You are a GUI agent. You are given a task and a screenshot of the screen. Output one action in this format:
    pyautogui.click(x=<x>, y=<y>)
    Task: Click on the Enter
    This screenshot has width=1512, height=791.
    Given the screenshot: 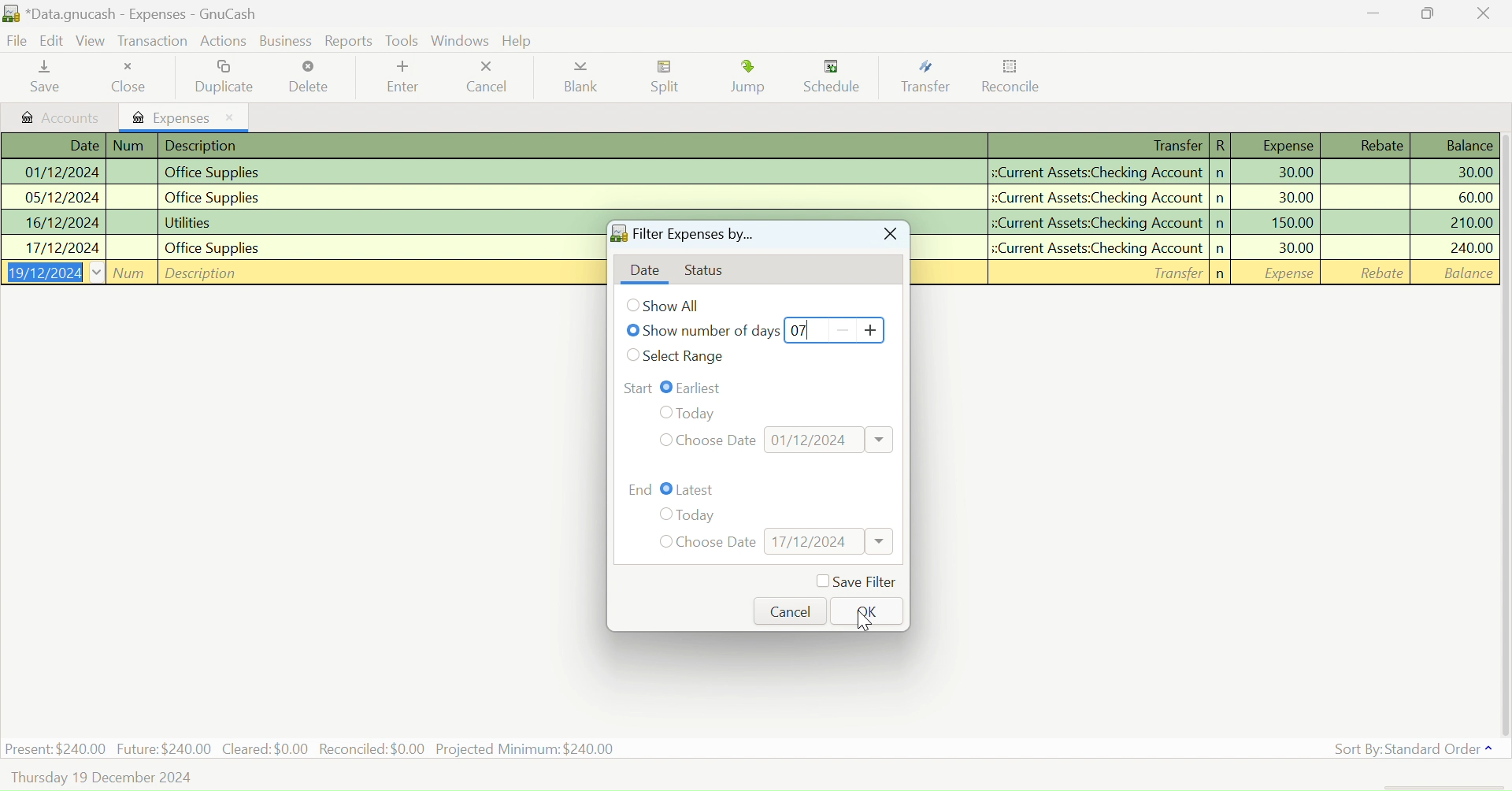 What is the action you would take?
    pyautogui.click(x=401, y=79)
    